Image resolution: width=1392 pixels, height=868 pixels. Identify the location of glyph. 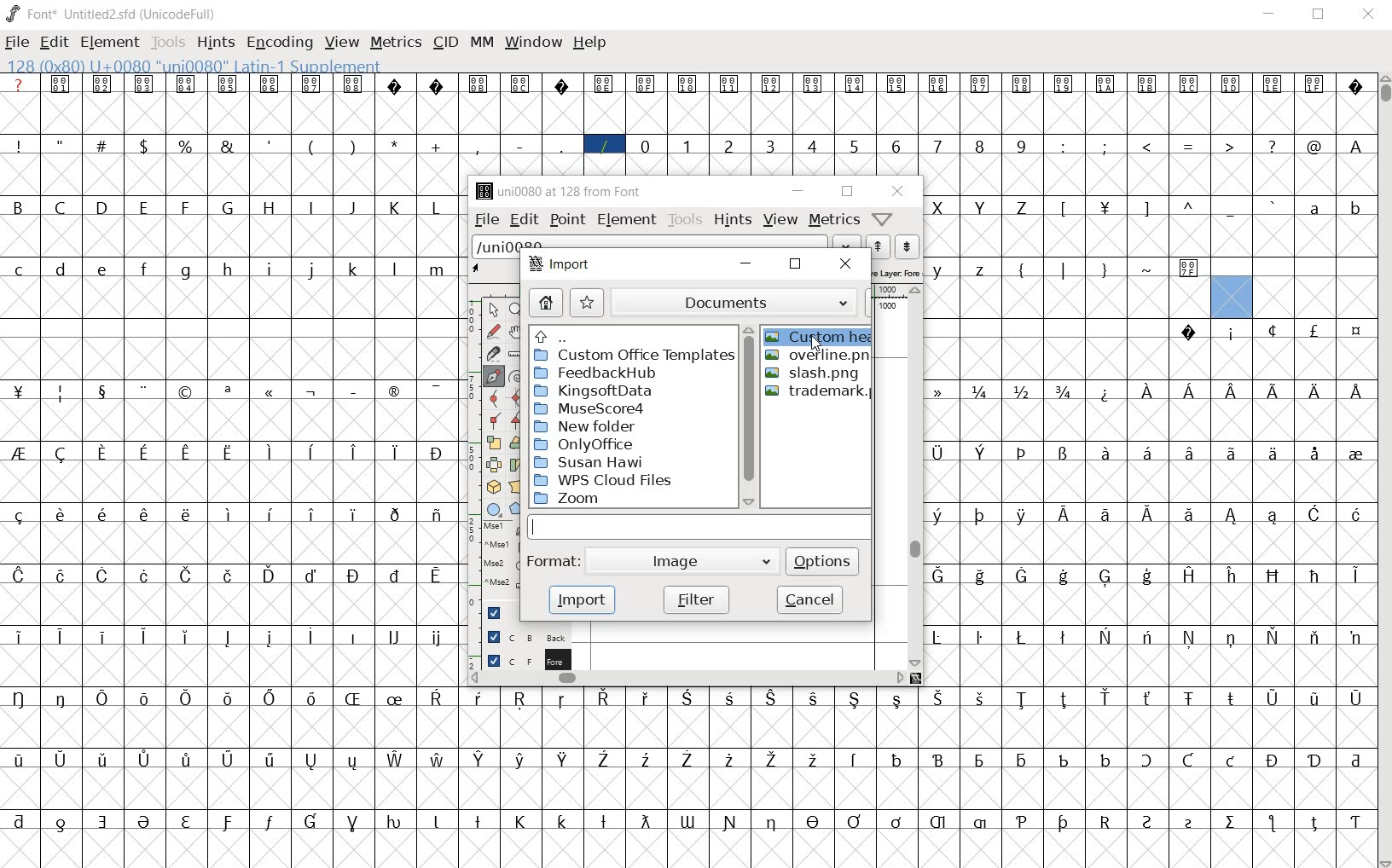
(1190, 453).